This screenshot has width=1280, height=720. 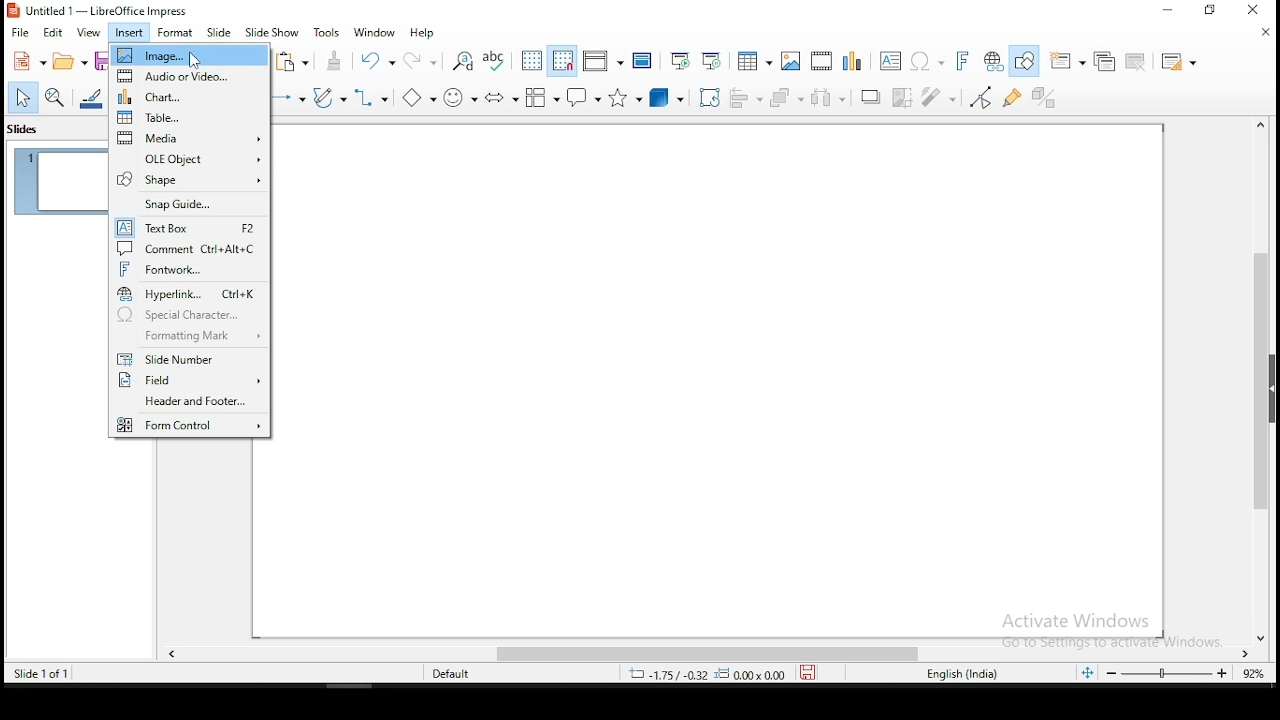 What do you see at coordinates (542, 96) in the screenshot?
I see `flowchart` at bounding box center [542, 96].